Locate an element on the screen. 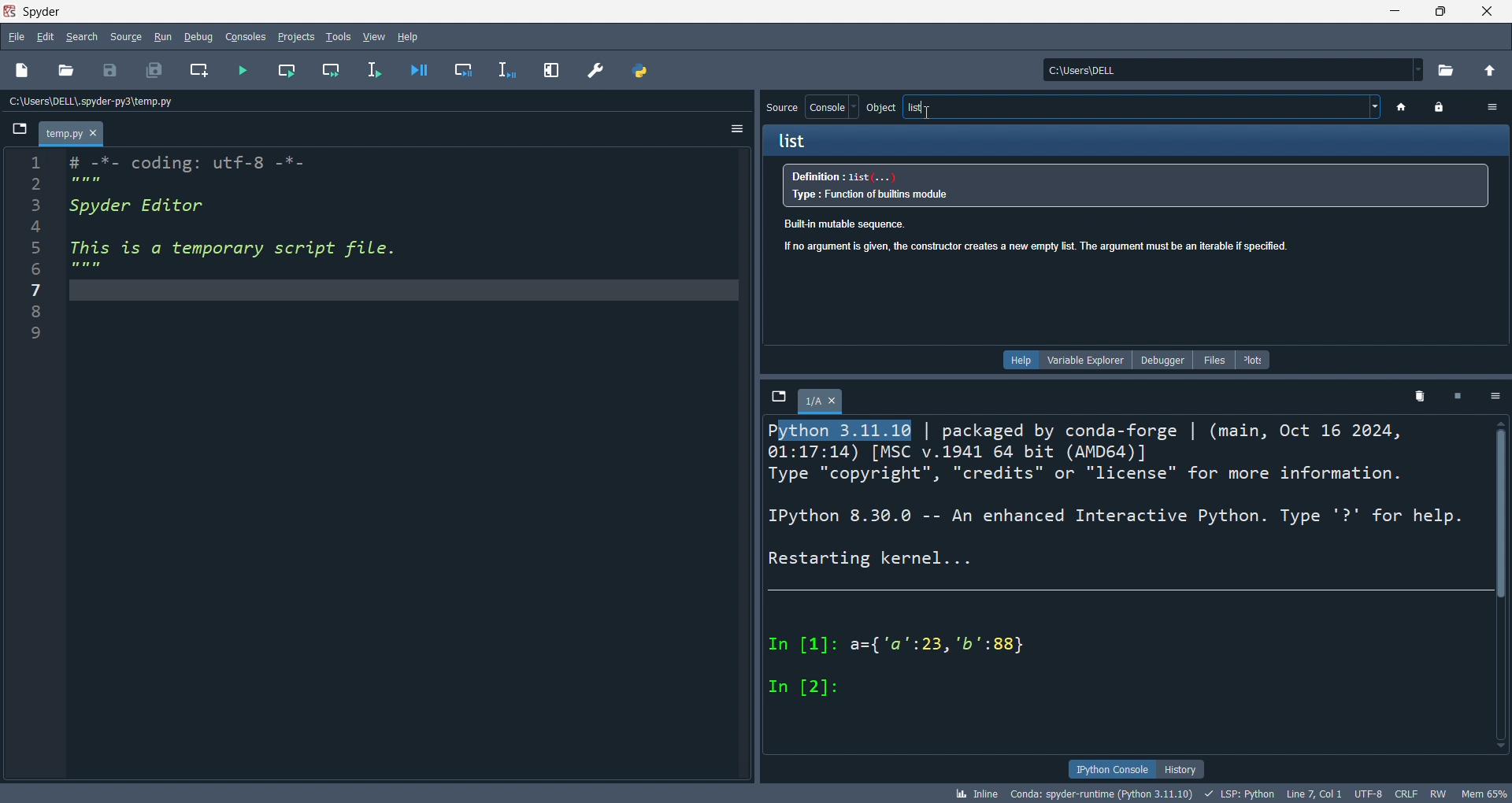 This screenshot has width=1512, height=803. close kernel is located at coordinates (1450, 396).